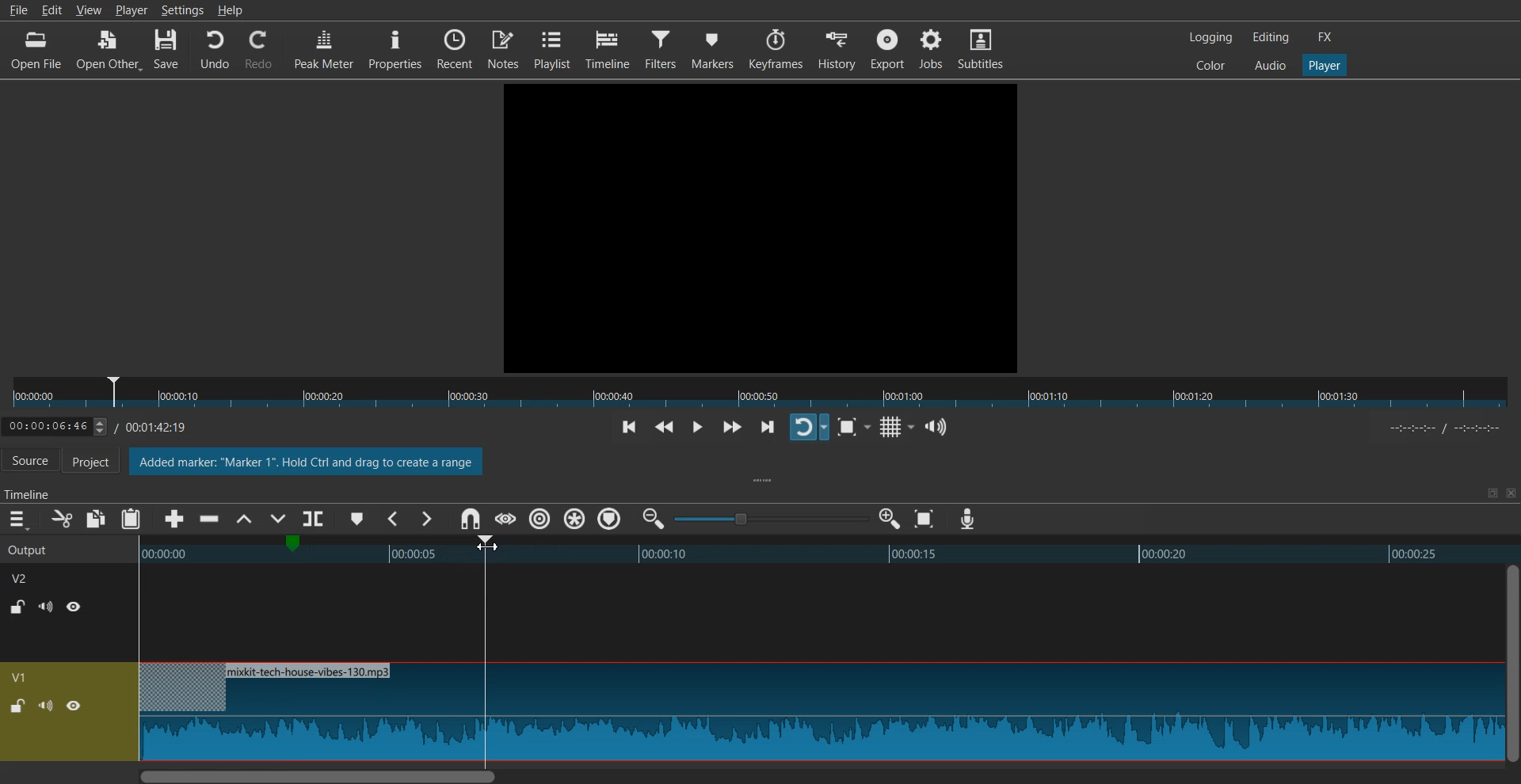  Describe the element at coordinates (654, 518) in the screenshot. I see `Zoom timeline out` at that location.